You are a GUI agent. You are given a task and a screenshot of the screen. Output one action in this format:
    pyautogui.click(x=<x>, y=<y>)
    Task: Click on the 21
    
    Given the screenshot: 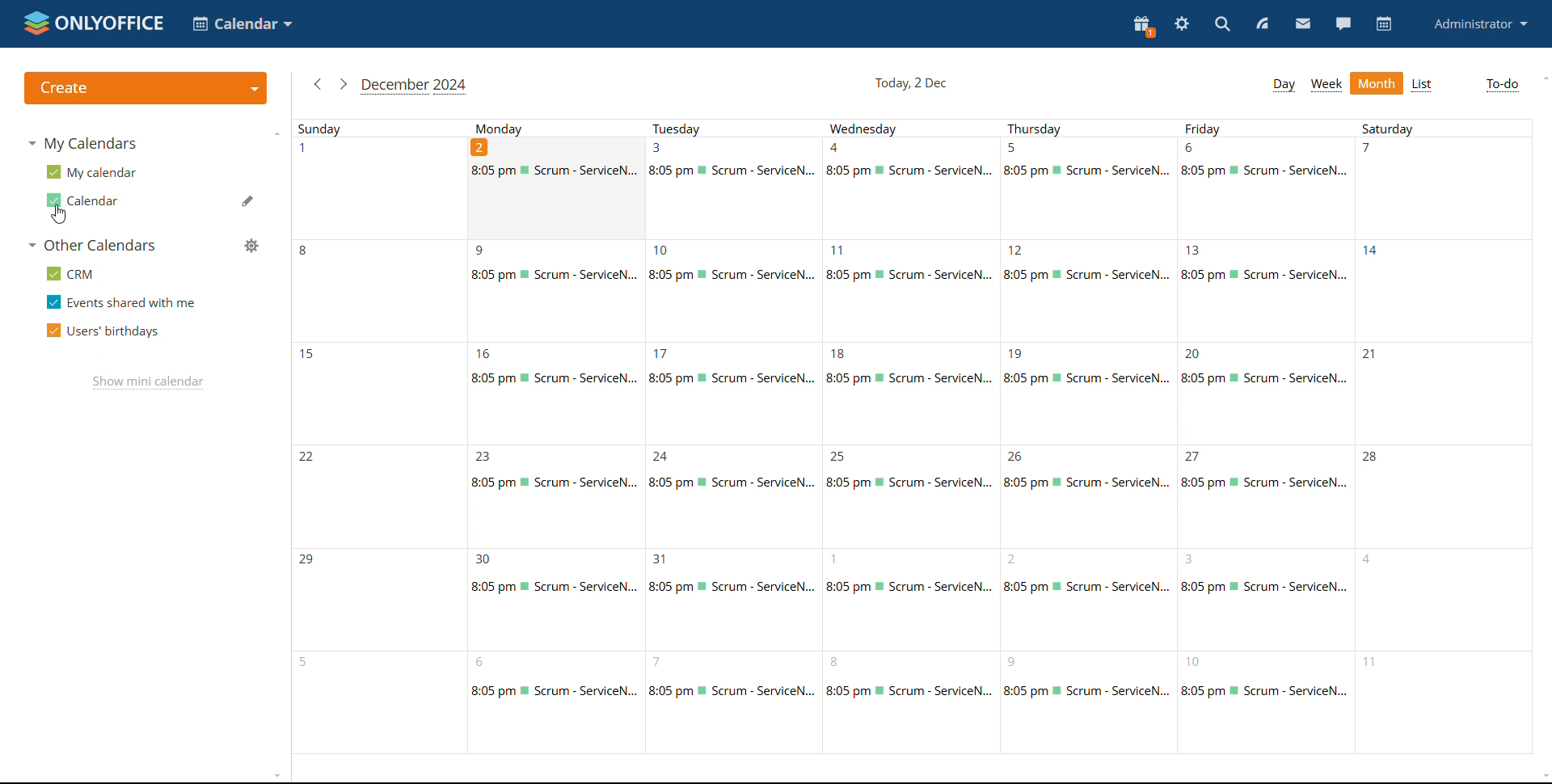 What is the action you would take?
    pyautogui.click(x=1447, y=392)
    